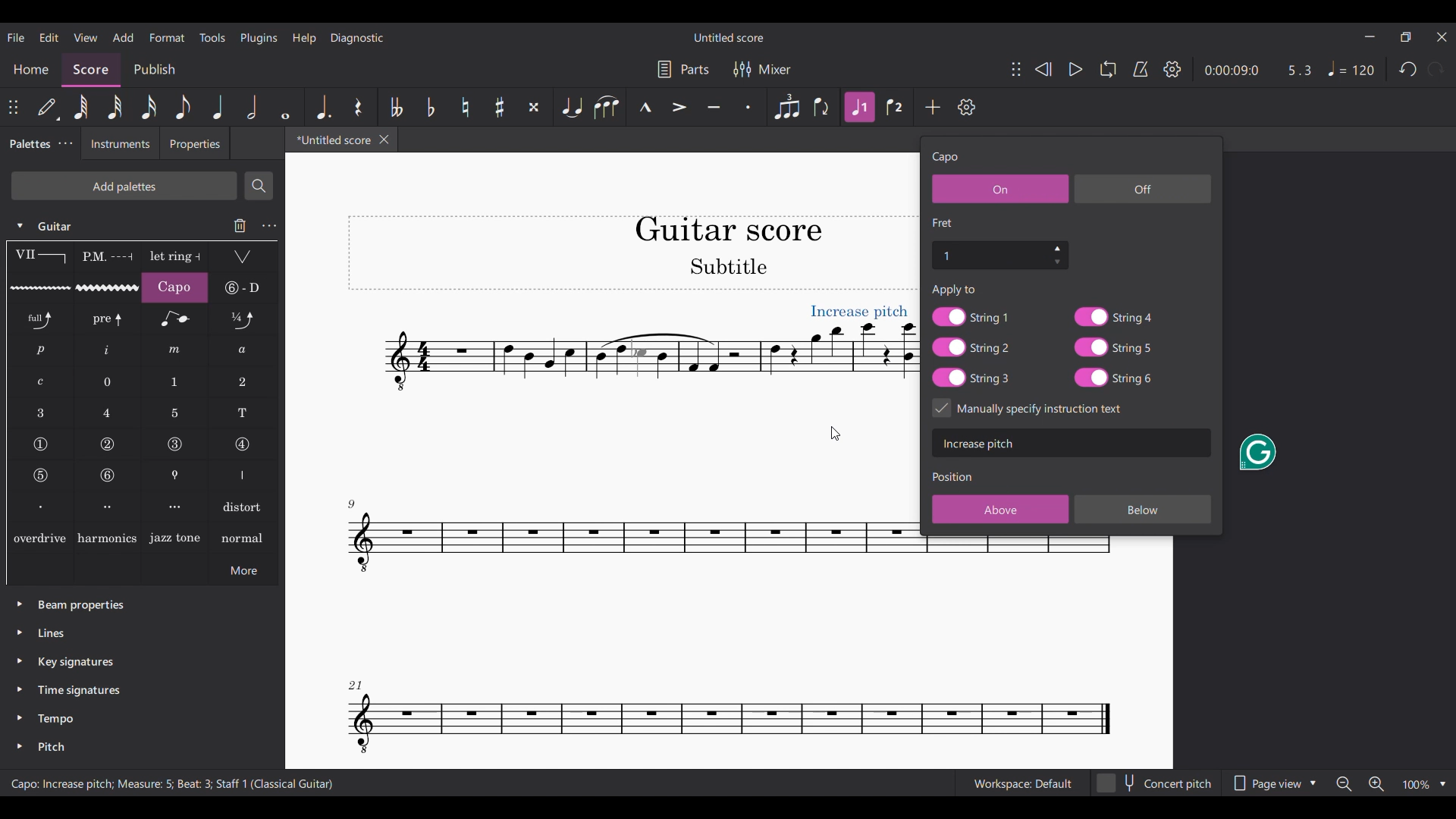 The width and height of the screenshot is (1456, 819). I want to click on Above, so click(999, 510).